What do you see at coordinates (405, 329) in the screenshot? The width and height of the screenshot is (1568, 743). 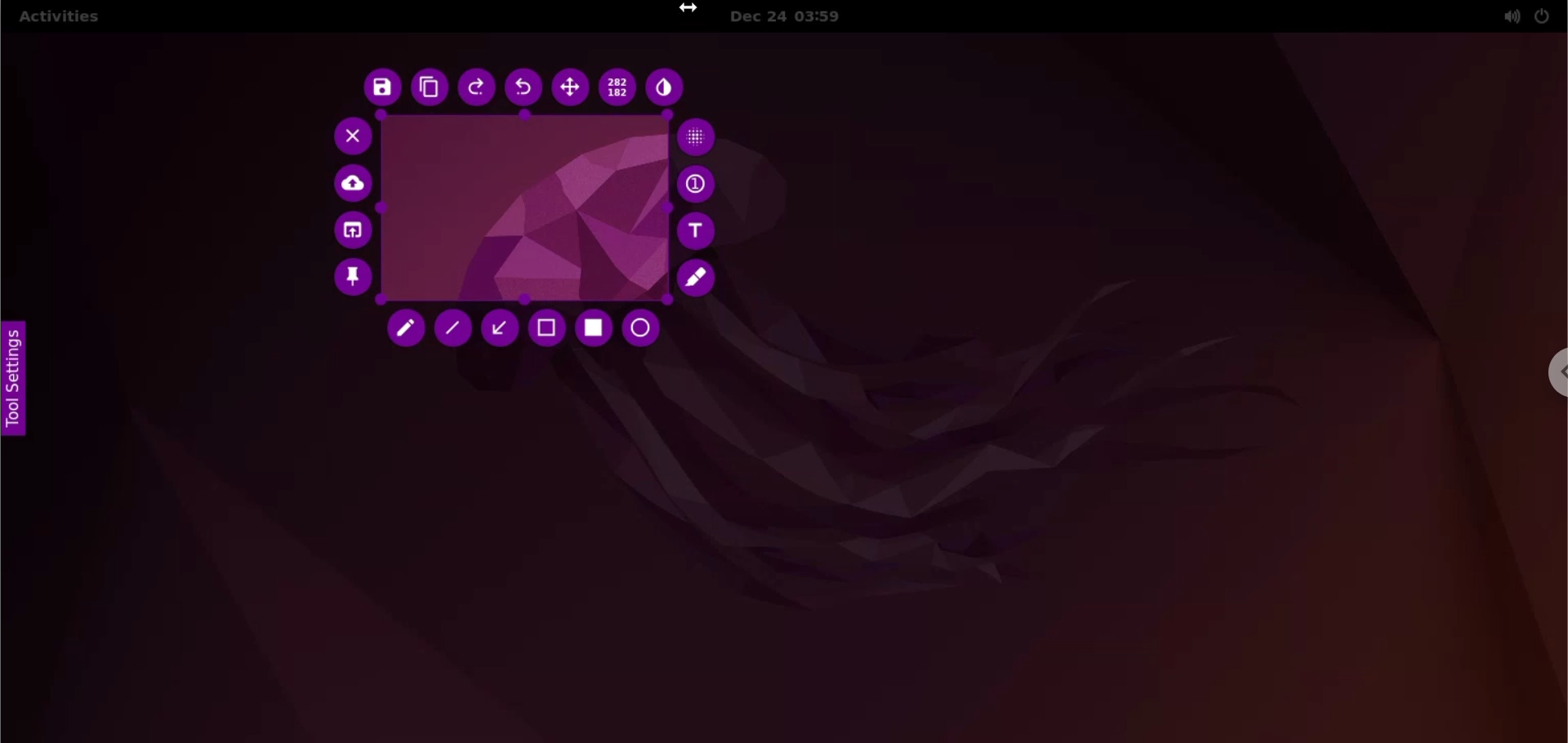 I see `pencil` at bounding box center [405, 329].